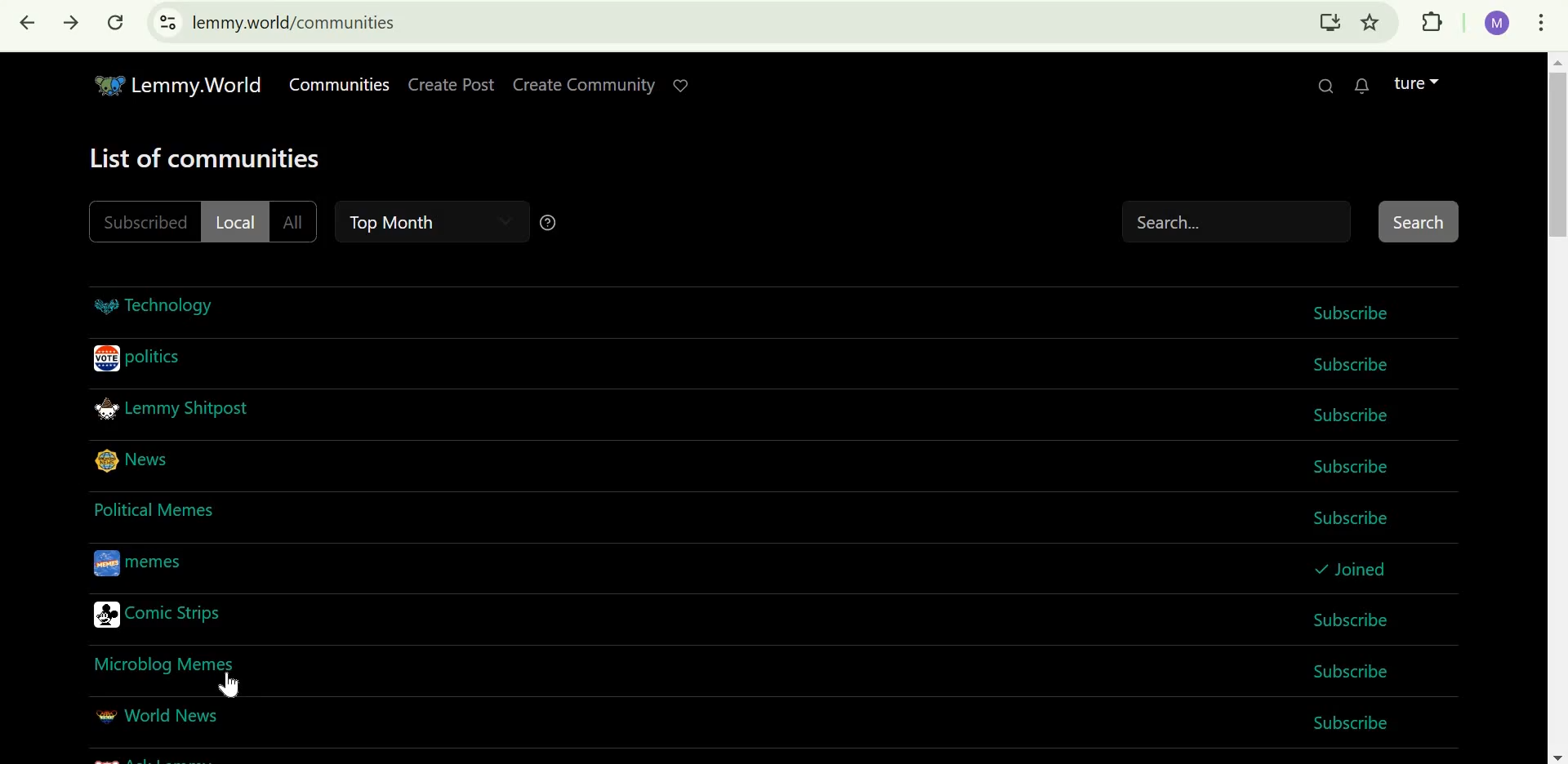 Image resolution: width=1568 pixels, height=764 pixels. Describe the element at coordinates (233, 688) in the screenshot. I see `cursor` at that location.